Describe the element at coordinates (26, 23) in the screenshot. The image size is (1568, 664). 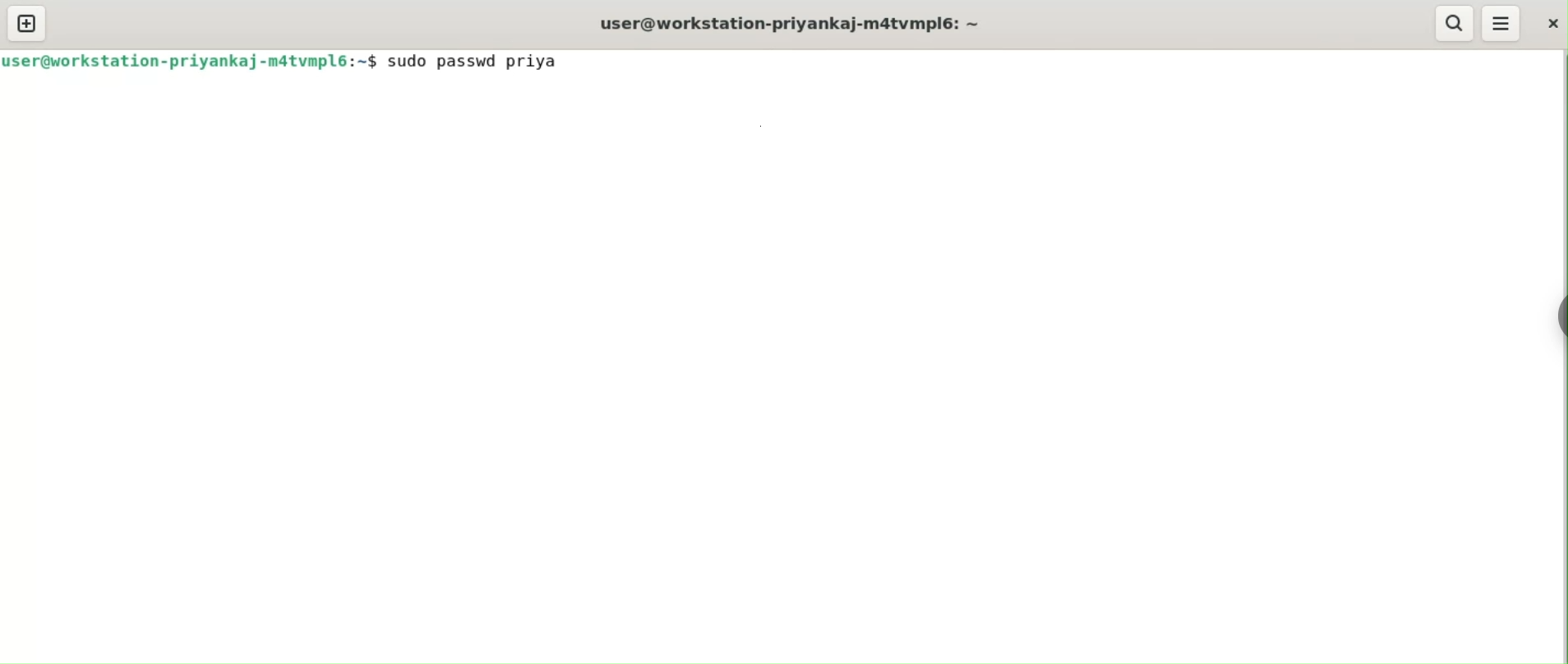
I see `new tab` at that location.